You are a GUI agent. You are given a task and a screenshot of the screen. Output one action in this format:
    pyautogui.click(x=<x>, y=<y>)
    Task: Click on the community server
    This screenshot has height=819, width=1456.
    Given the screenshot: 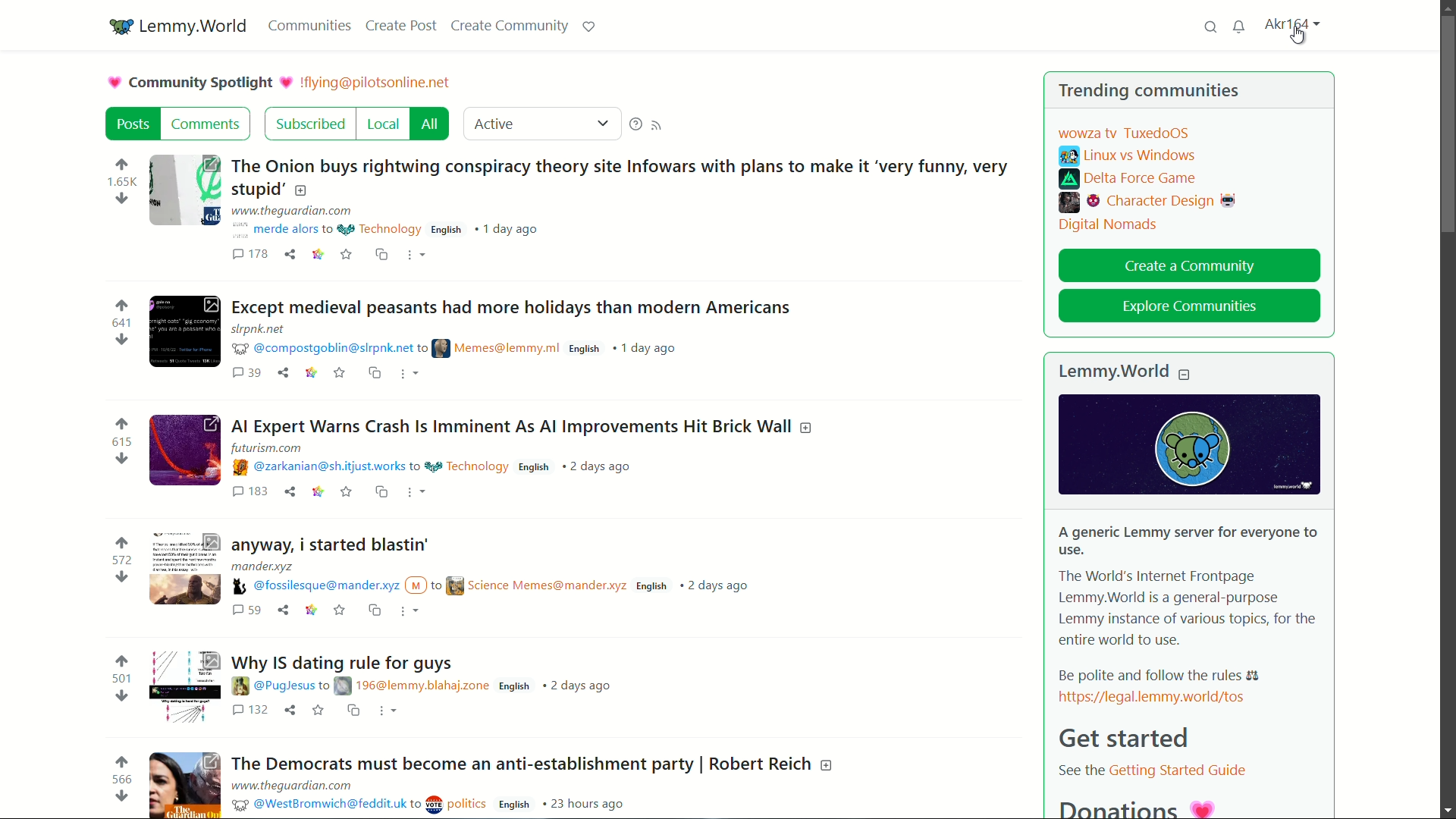 What is the action you would take?
    pyautogui.click(x=378, y=83)
    